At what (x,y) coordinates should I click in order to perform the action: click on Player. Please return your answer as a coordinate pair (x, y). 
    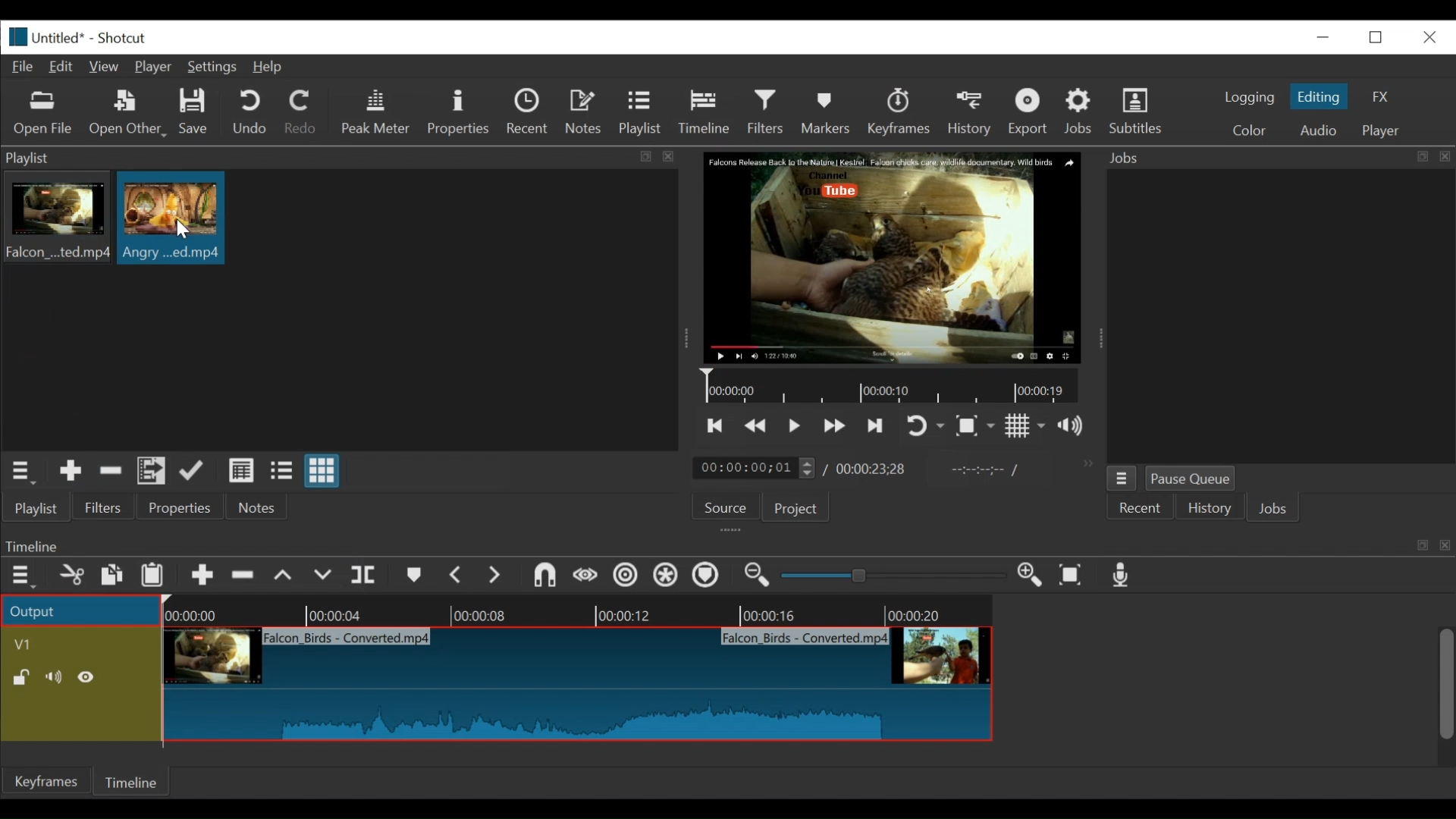
    Looking at the image, I should click on (157, 68).